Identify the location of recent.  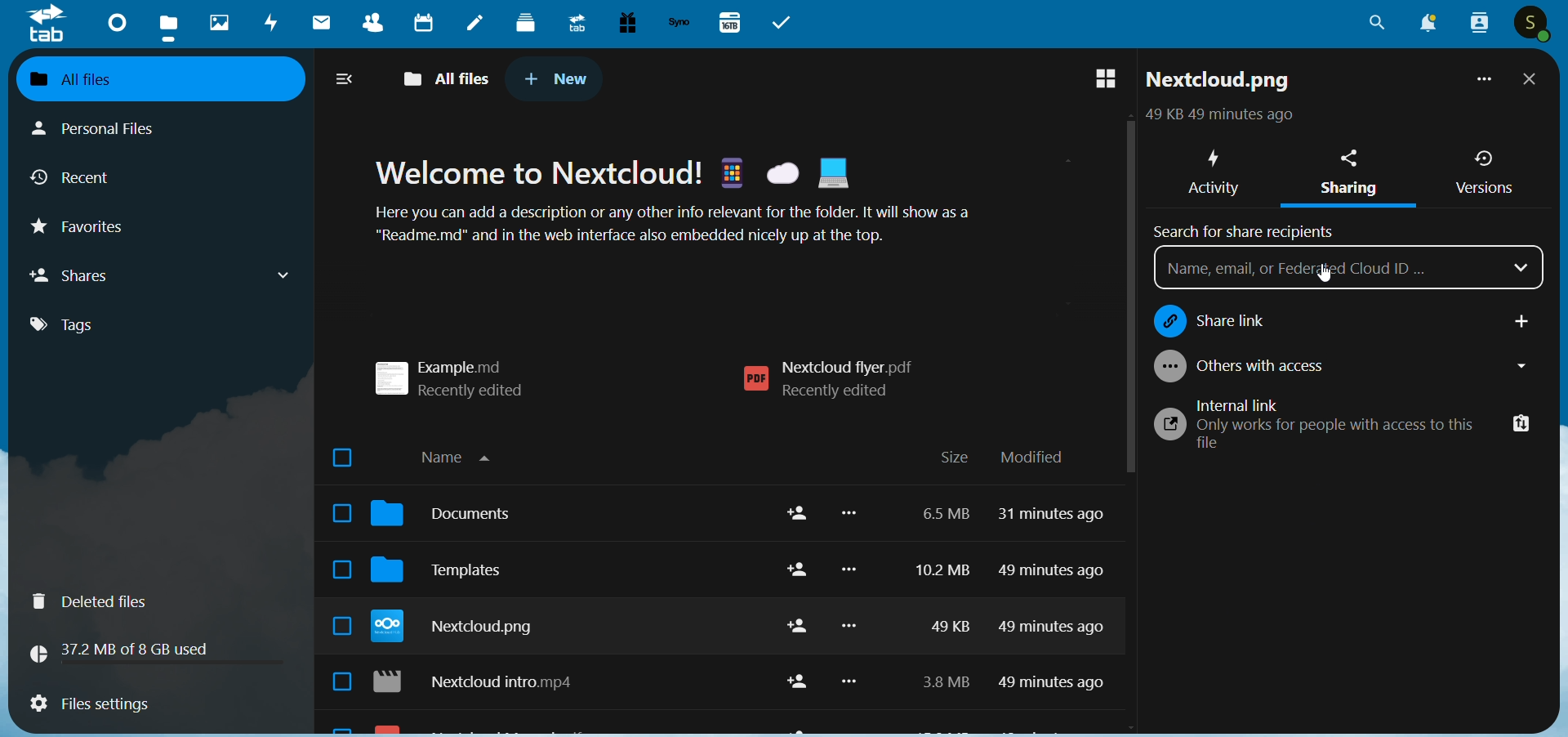
(78, 181).